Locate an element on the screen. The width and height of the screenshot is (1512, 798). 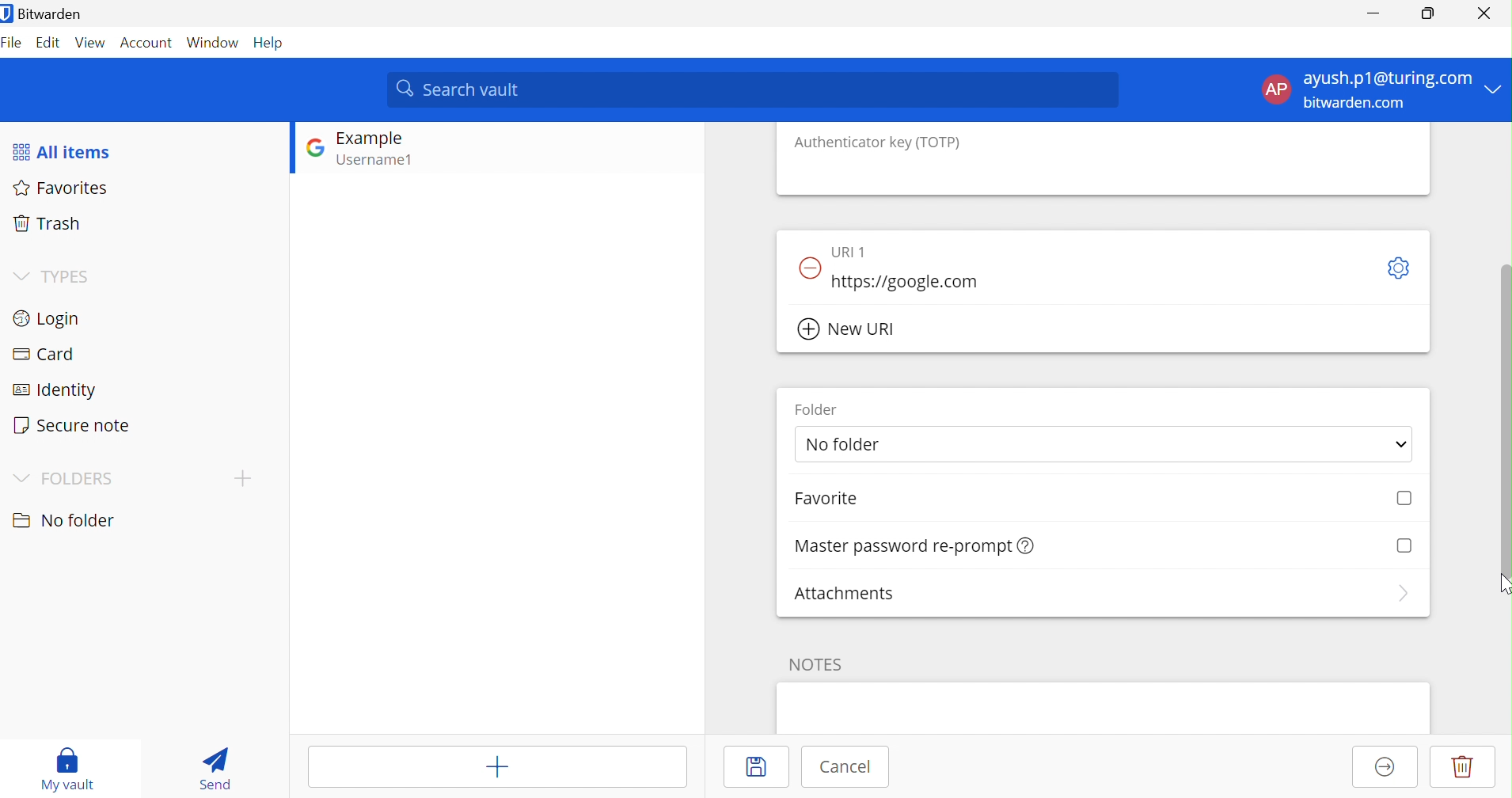
Favorites is located at coordinates (66, 189).